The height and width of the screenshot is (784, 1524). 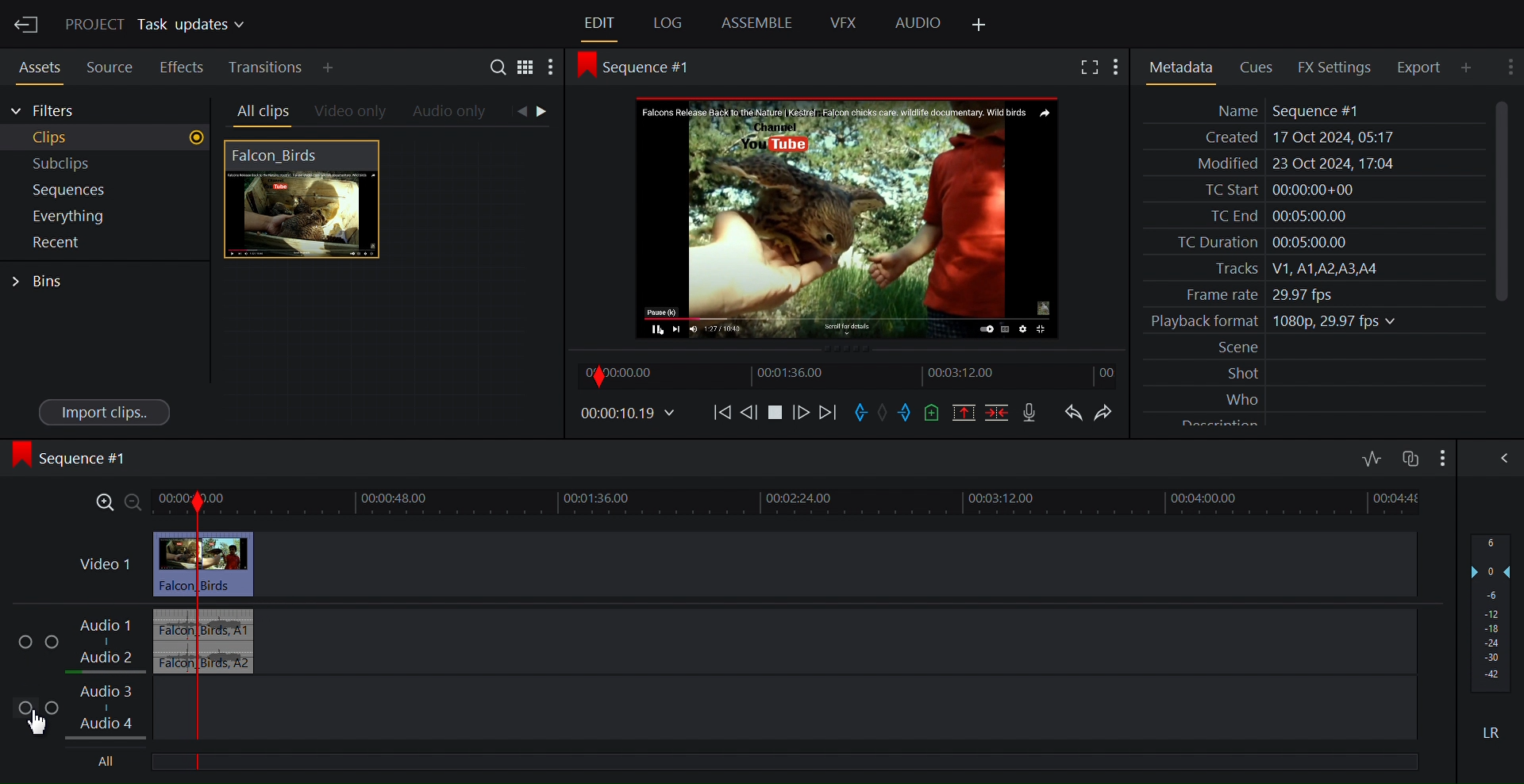 I want to click on Vertical Scroll bar, so click(x=1502, y=200).